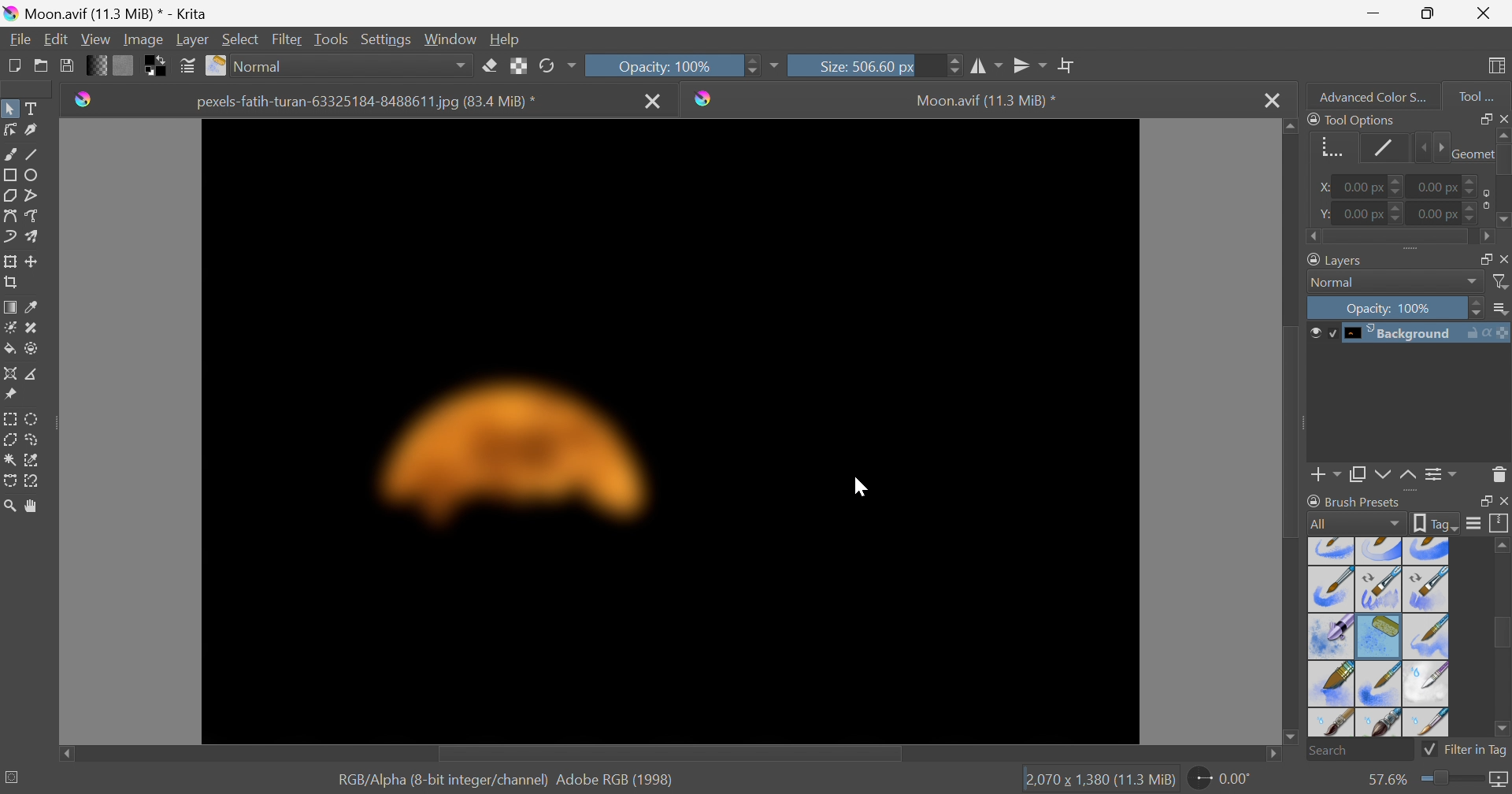 This screenshot has height=794, width=1512. I want to click on Scroll up, so click(1503, 544).